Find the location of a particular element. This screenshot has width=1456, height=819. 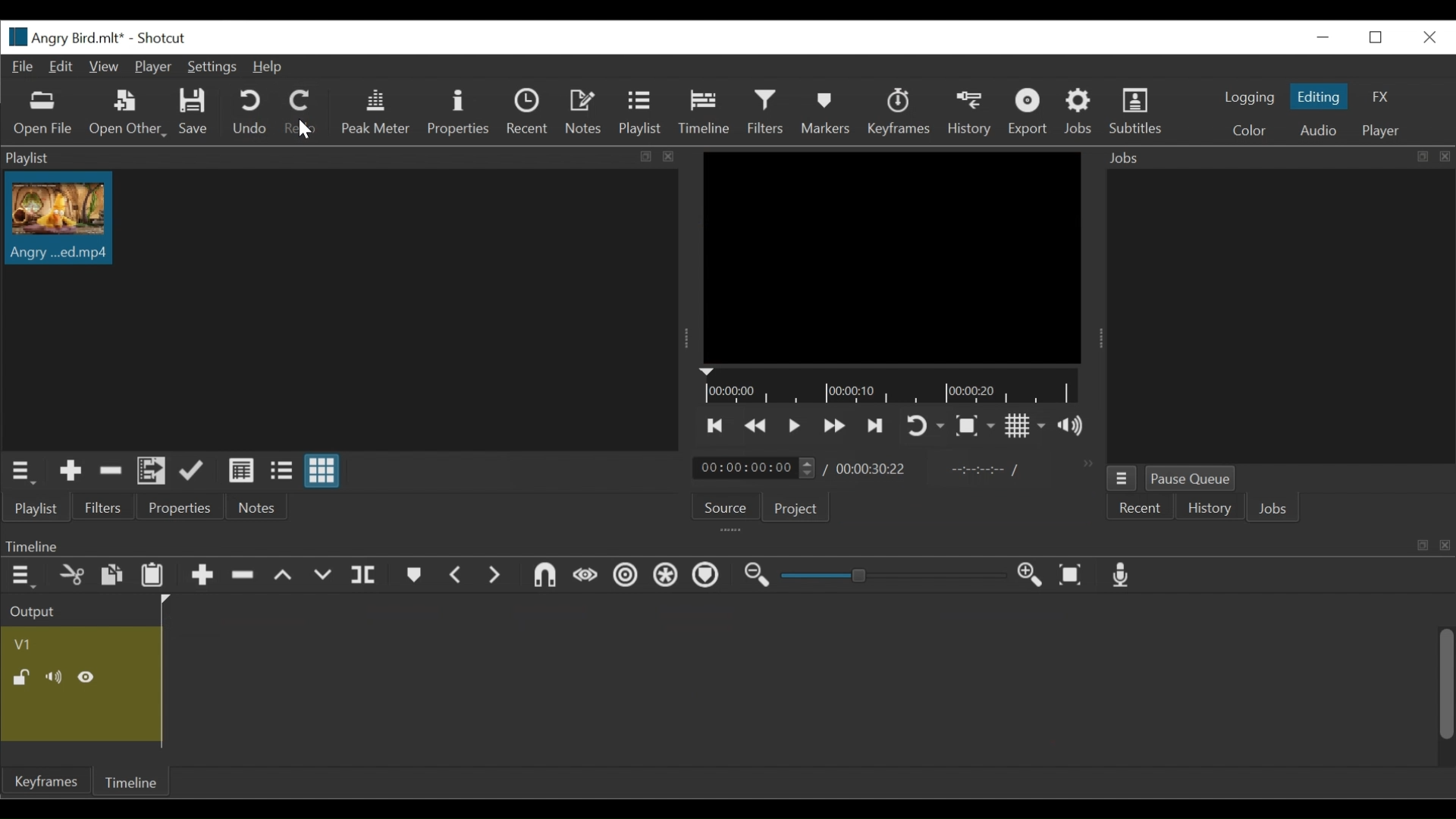

Paste is located at coordinates (152, 577).